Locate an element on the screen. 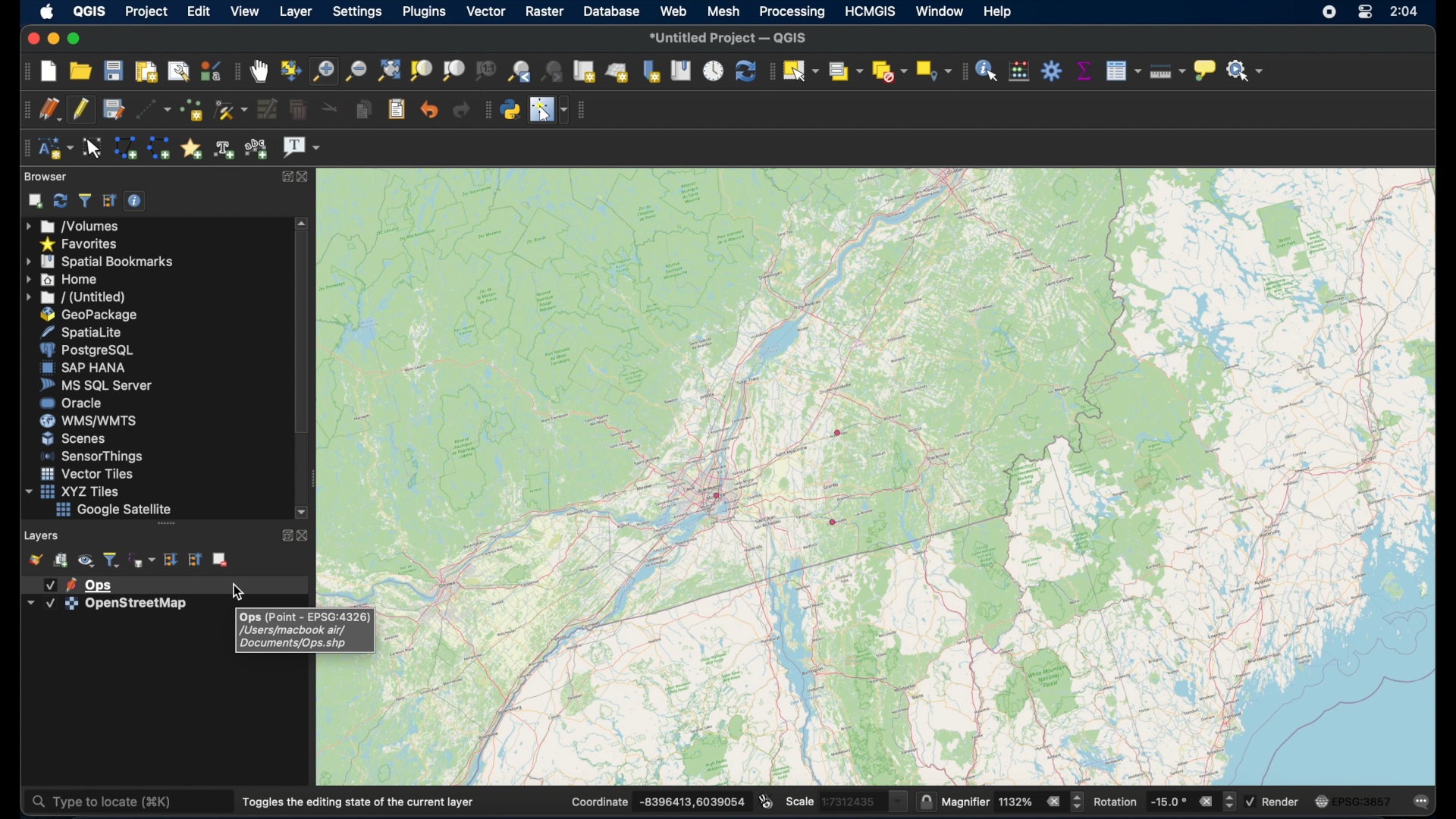 The height and width of the screenshot is (819, 1456). show layout manager is located at coordinates (179, 71).